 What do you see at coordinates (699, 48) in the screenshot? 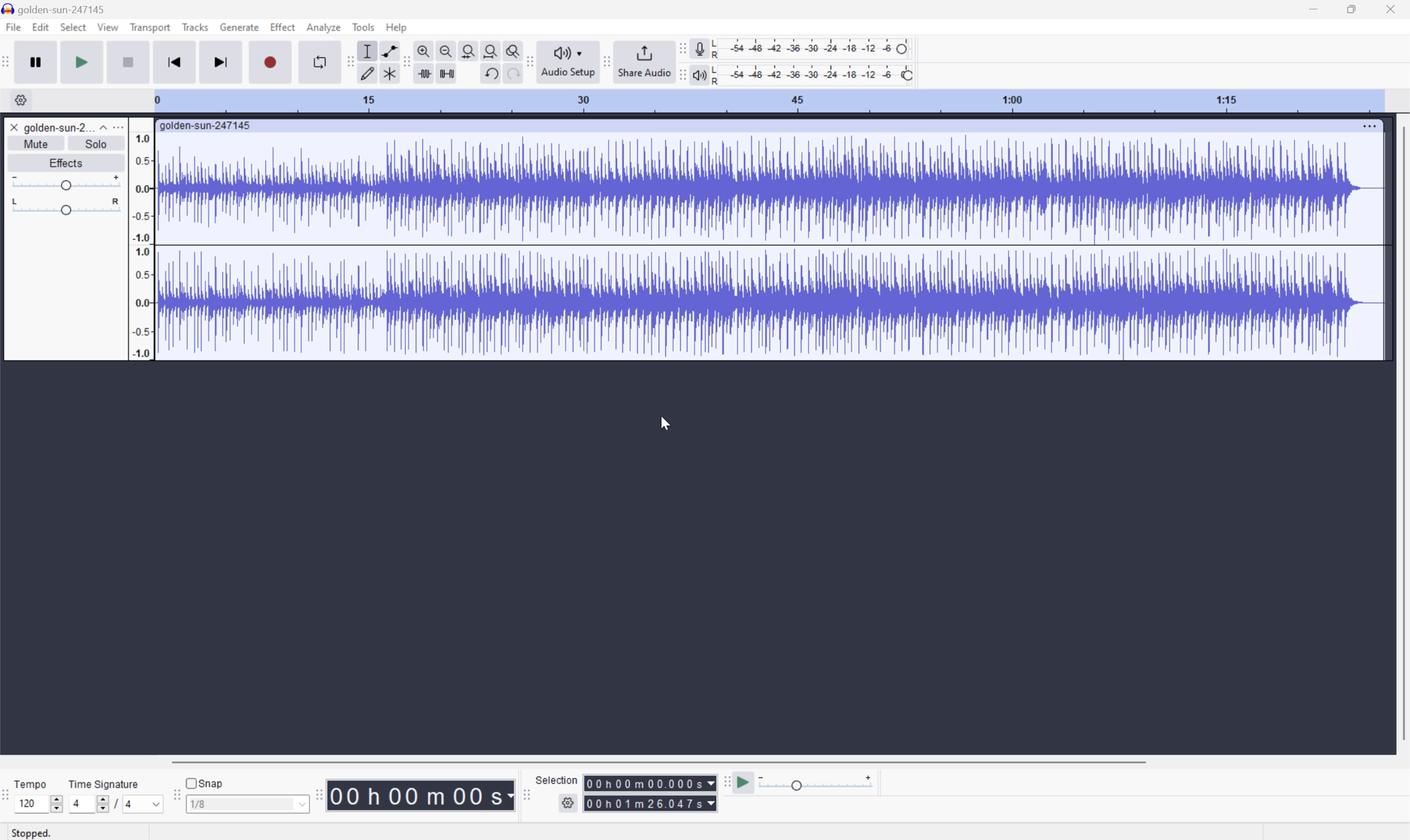
I see `Record meter` at bounding box center [699, 48].